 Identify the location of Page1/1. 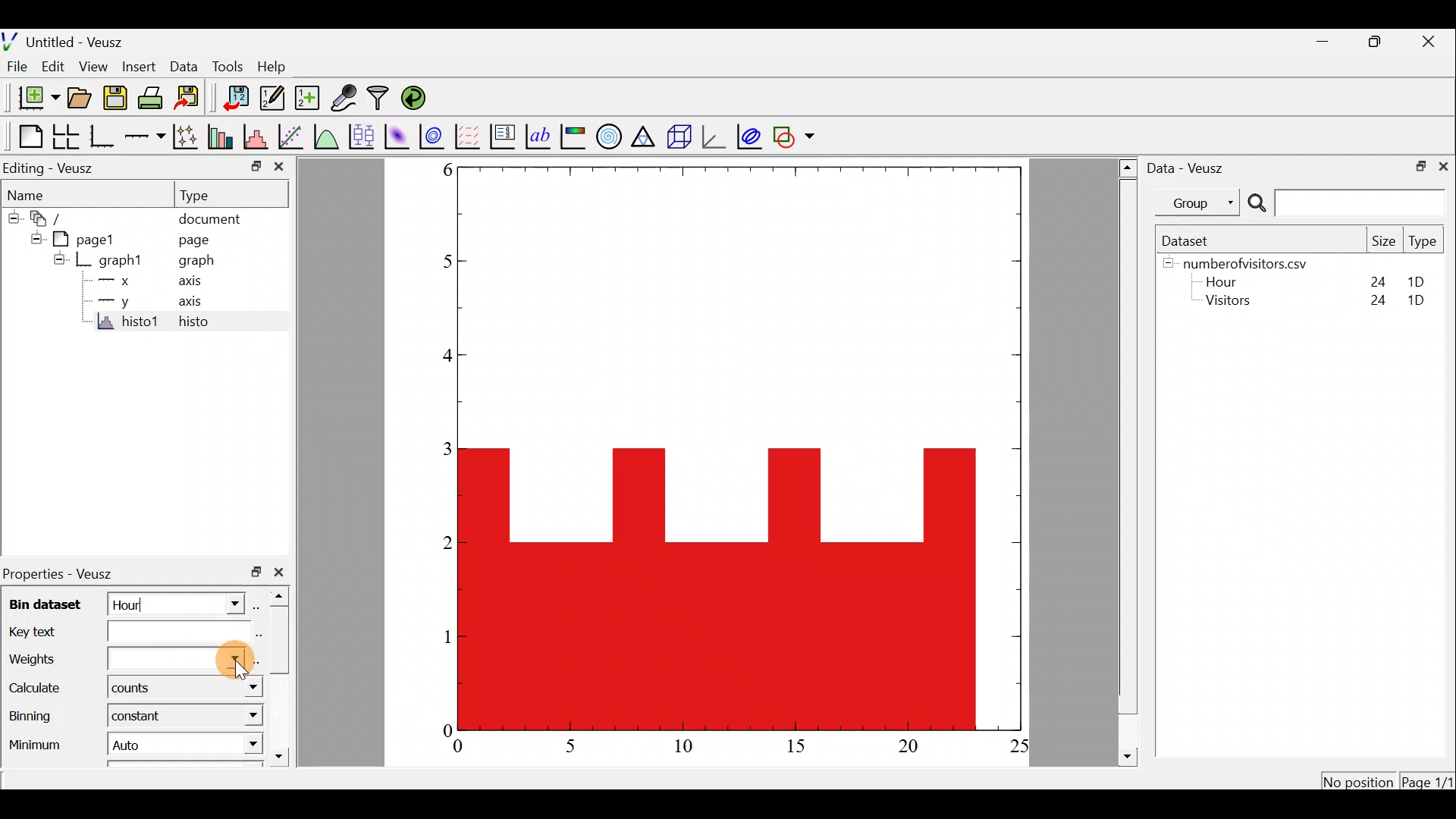
(1426, 780).